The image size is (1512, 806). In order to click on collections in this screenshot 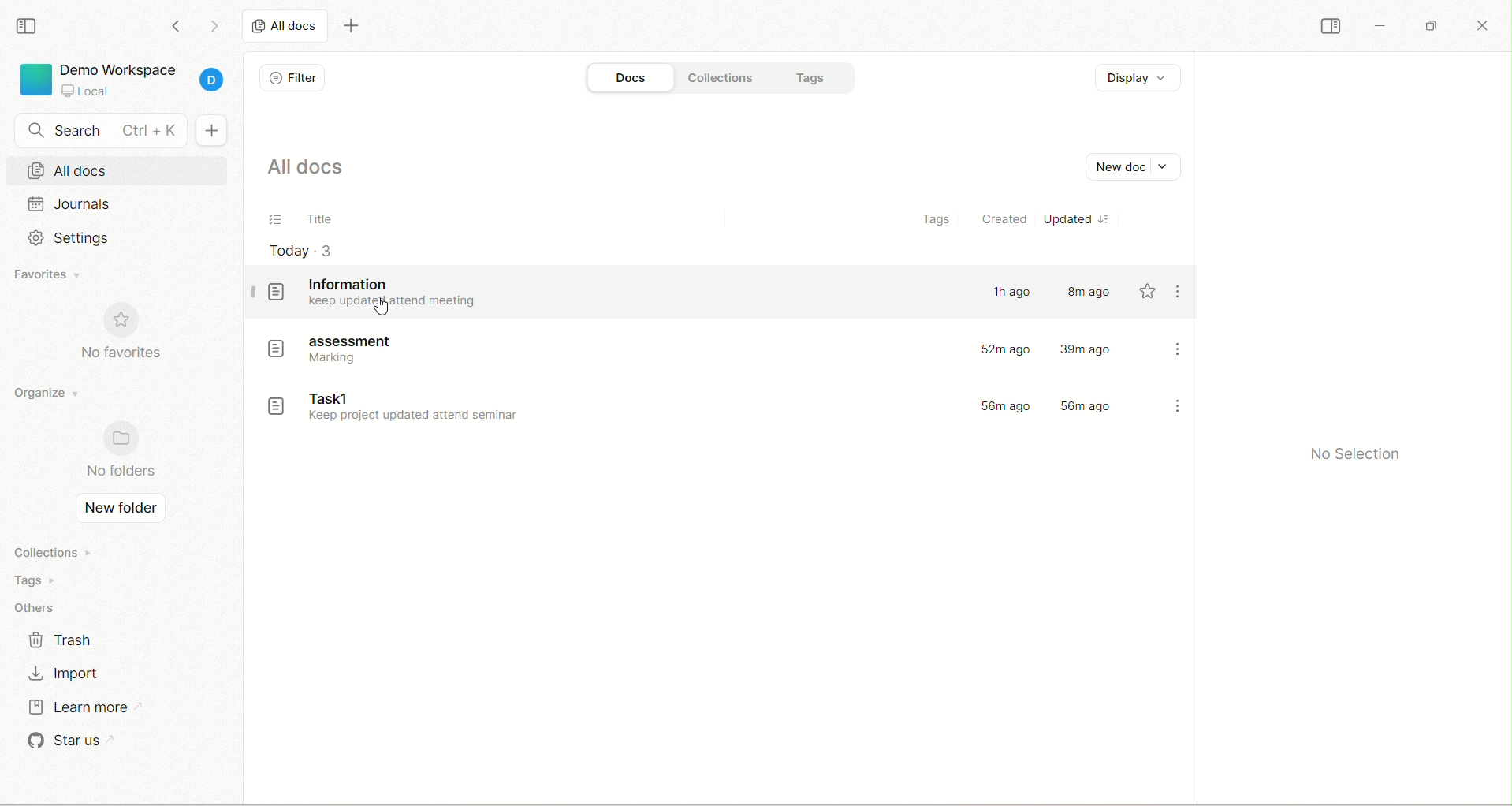, I will do `click(724, 80)`.